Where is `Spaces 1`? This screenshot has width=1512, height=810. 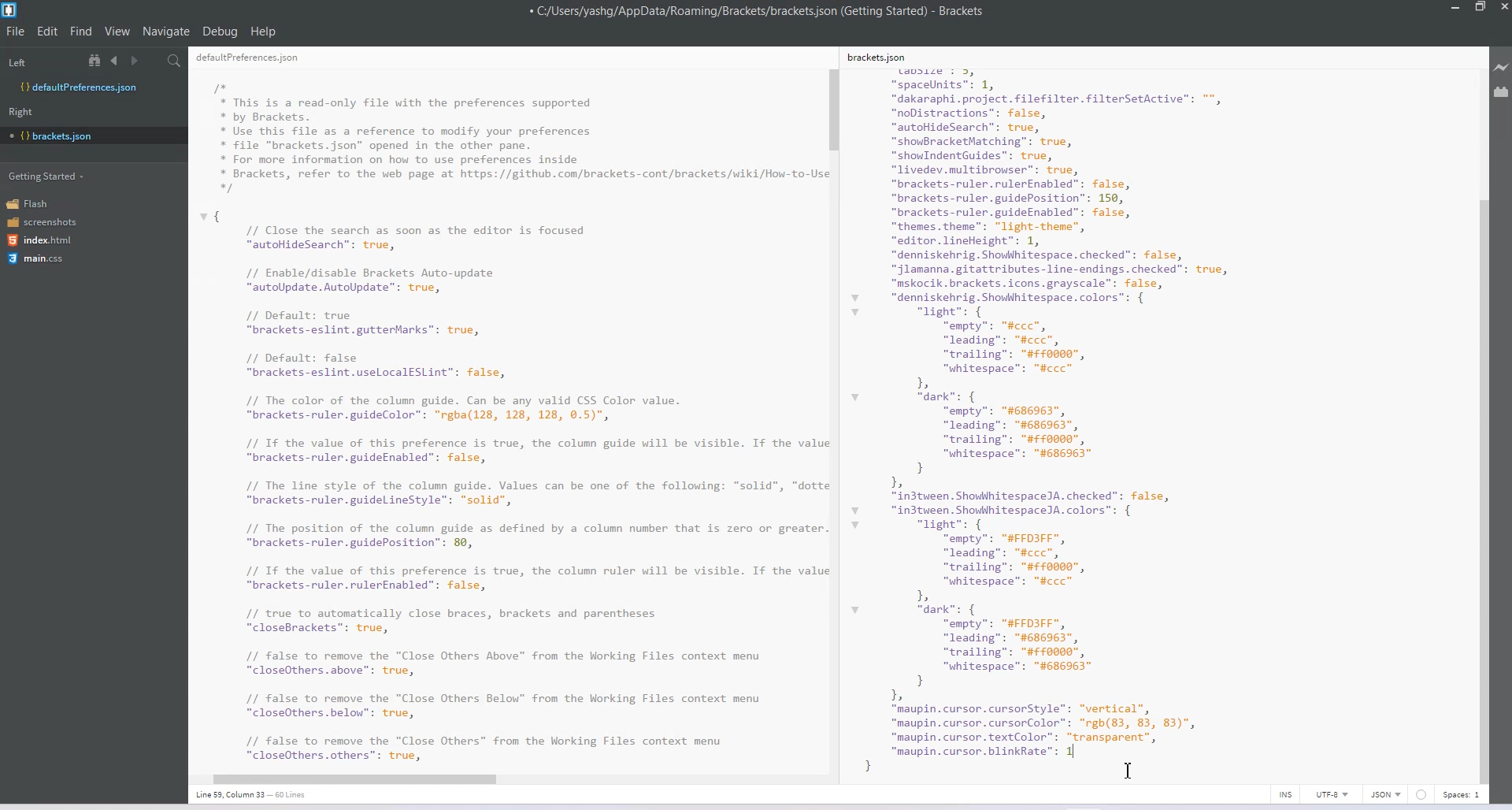 Spaces 1 is located at coordinates (1462, 795).